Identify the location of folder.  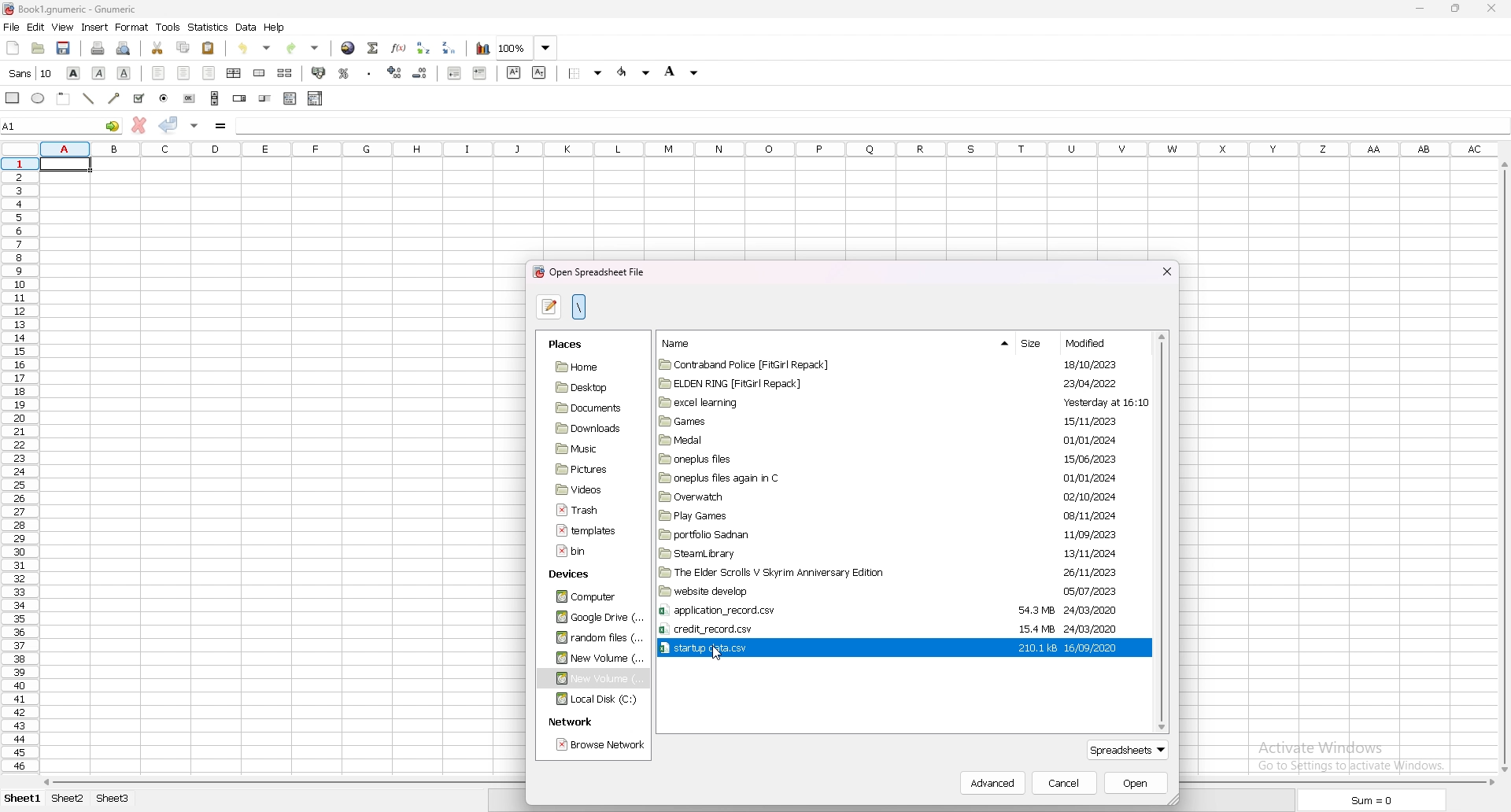
(594, 678).